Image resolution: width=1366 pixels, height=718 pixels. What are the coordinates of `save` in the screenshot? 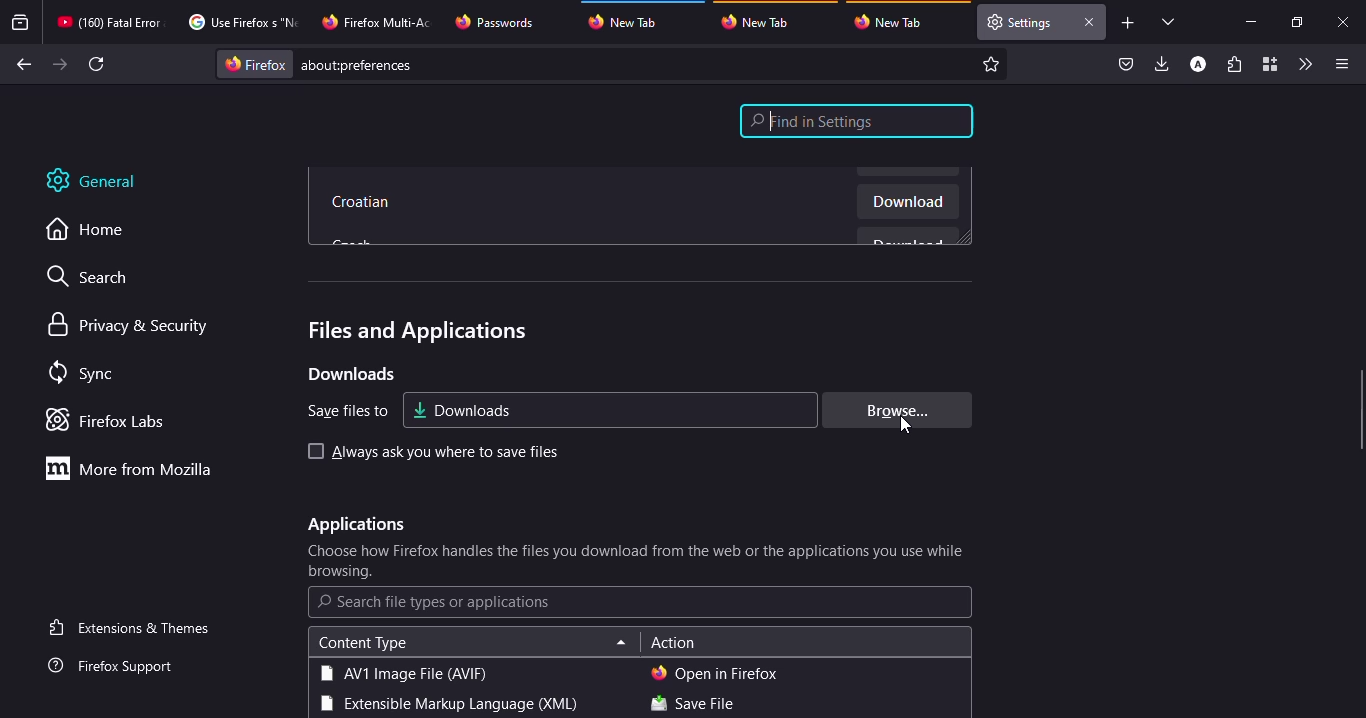 It's located at (692, 705).